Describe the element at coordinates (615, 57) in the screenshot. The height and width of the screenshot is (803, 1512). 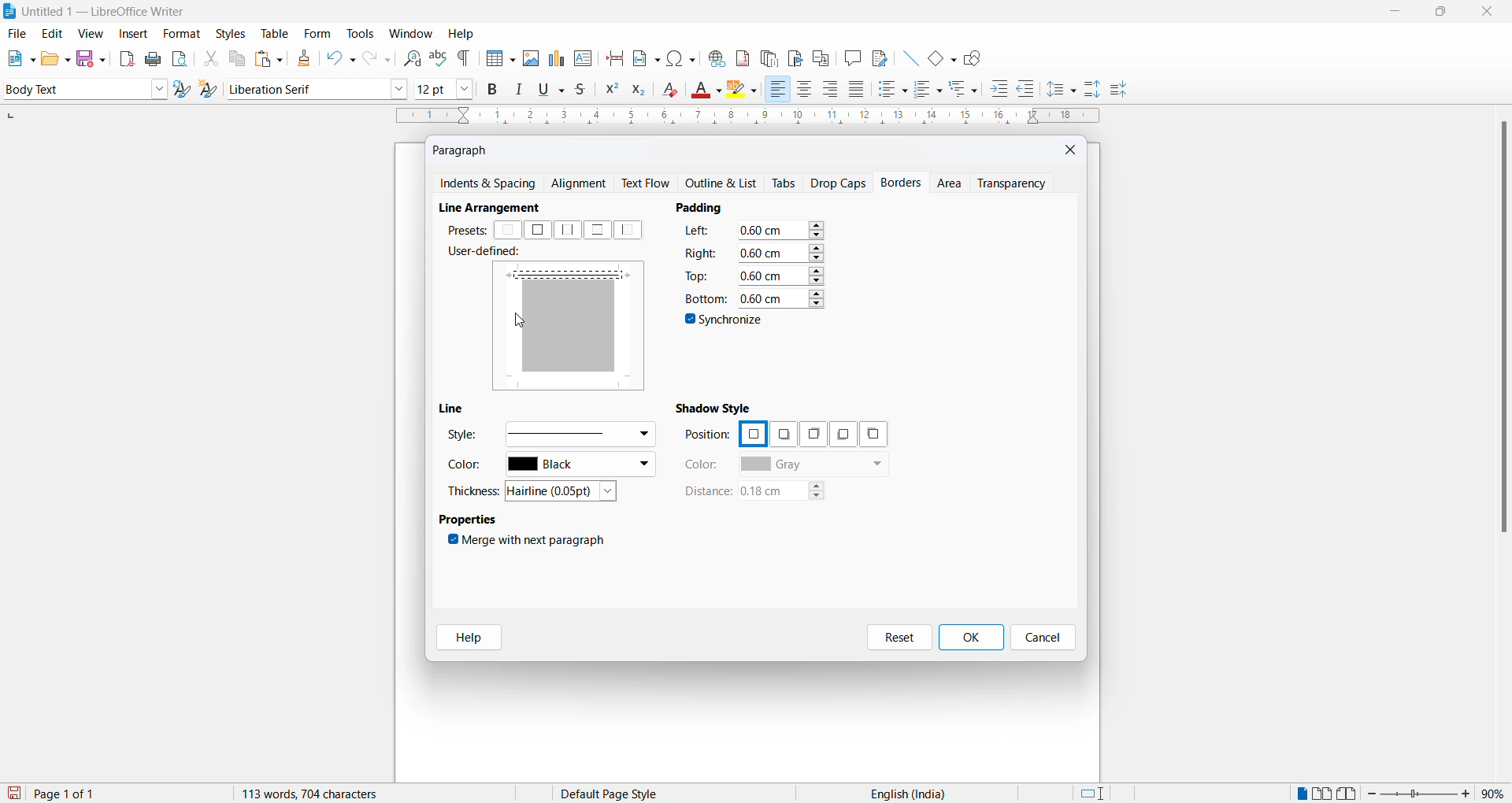
I see `page break` at that location.